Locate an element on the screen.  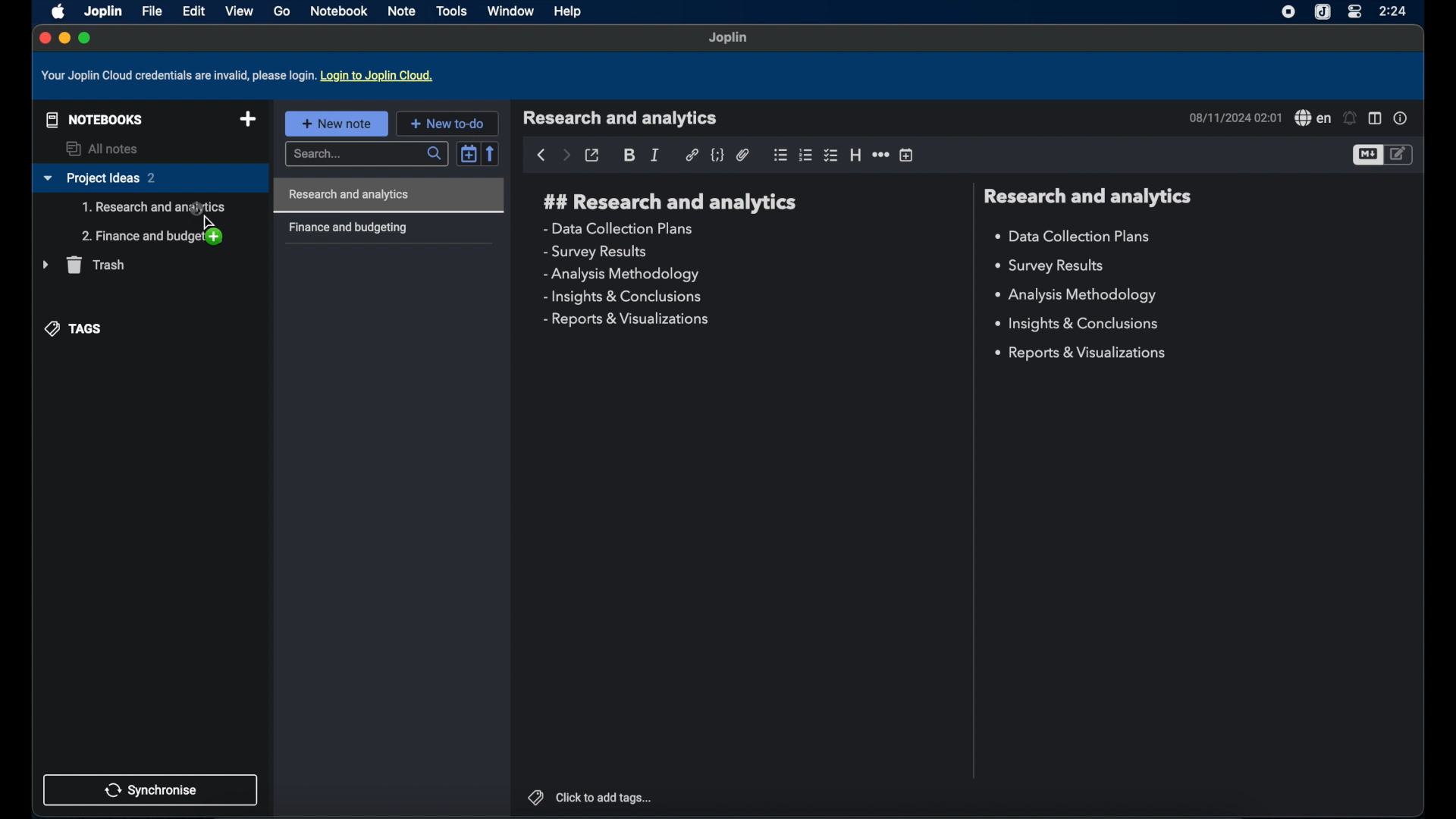
2:24 is located at coordinates (1395, 11).